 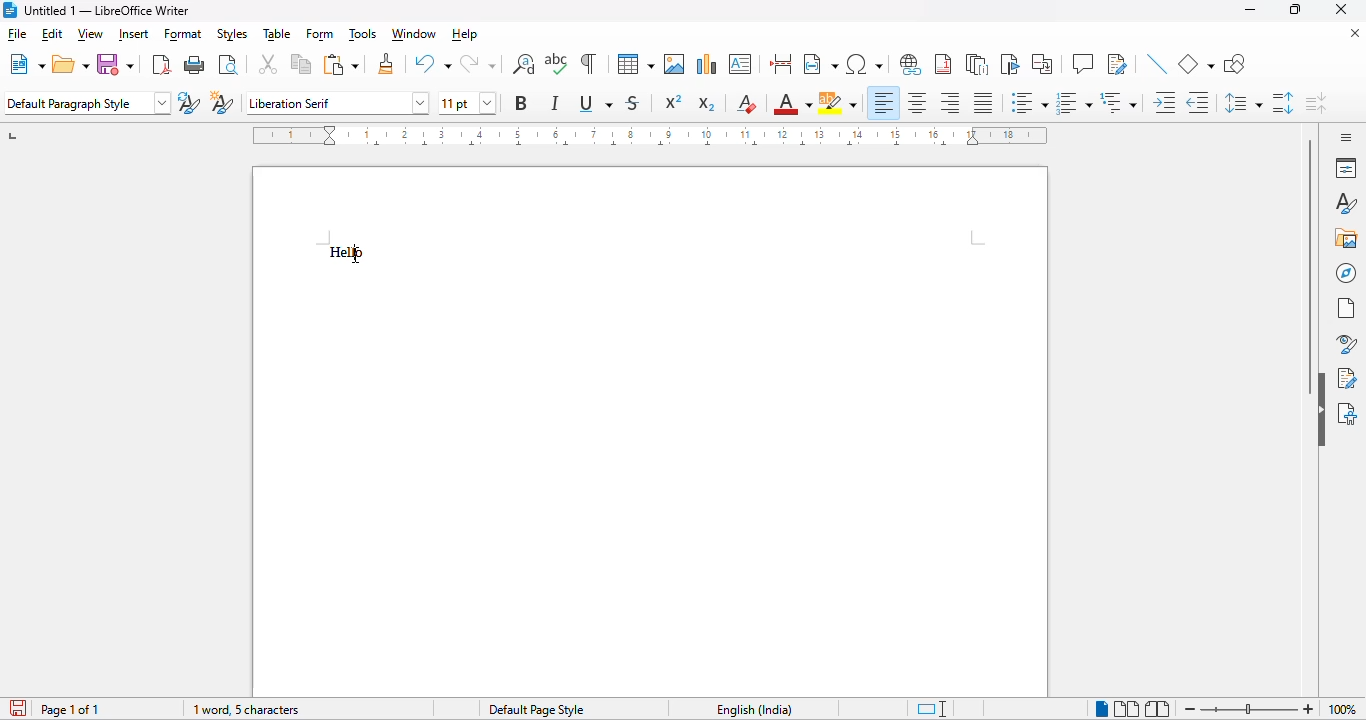 What do you see at coordinates (1196, 65) in the screenshot?
I see `basic shapes` at bounding box center [1196, 65].